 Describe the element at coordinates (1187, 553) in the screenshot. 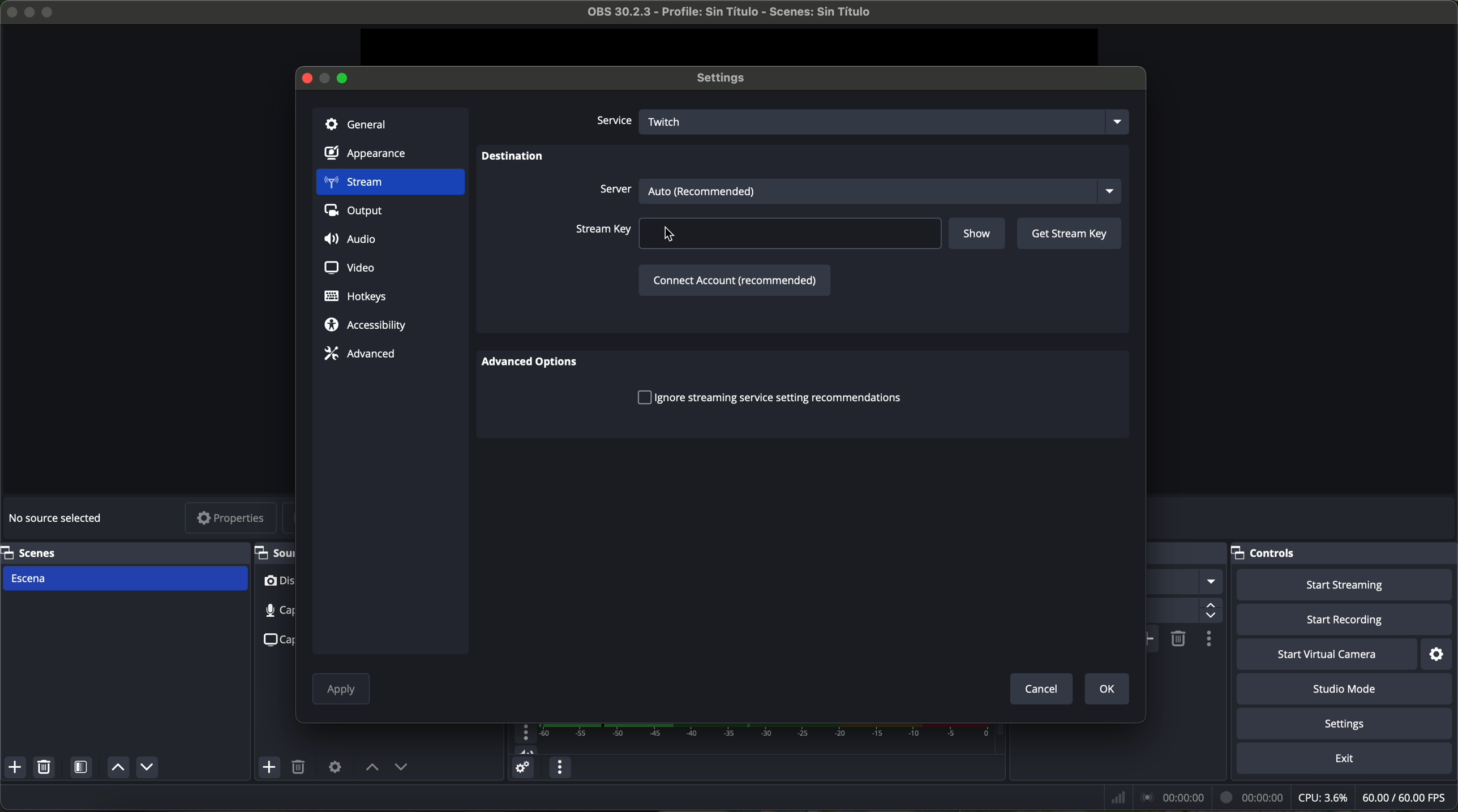

I see `` at that location.